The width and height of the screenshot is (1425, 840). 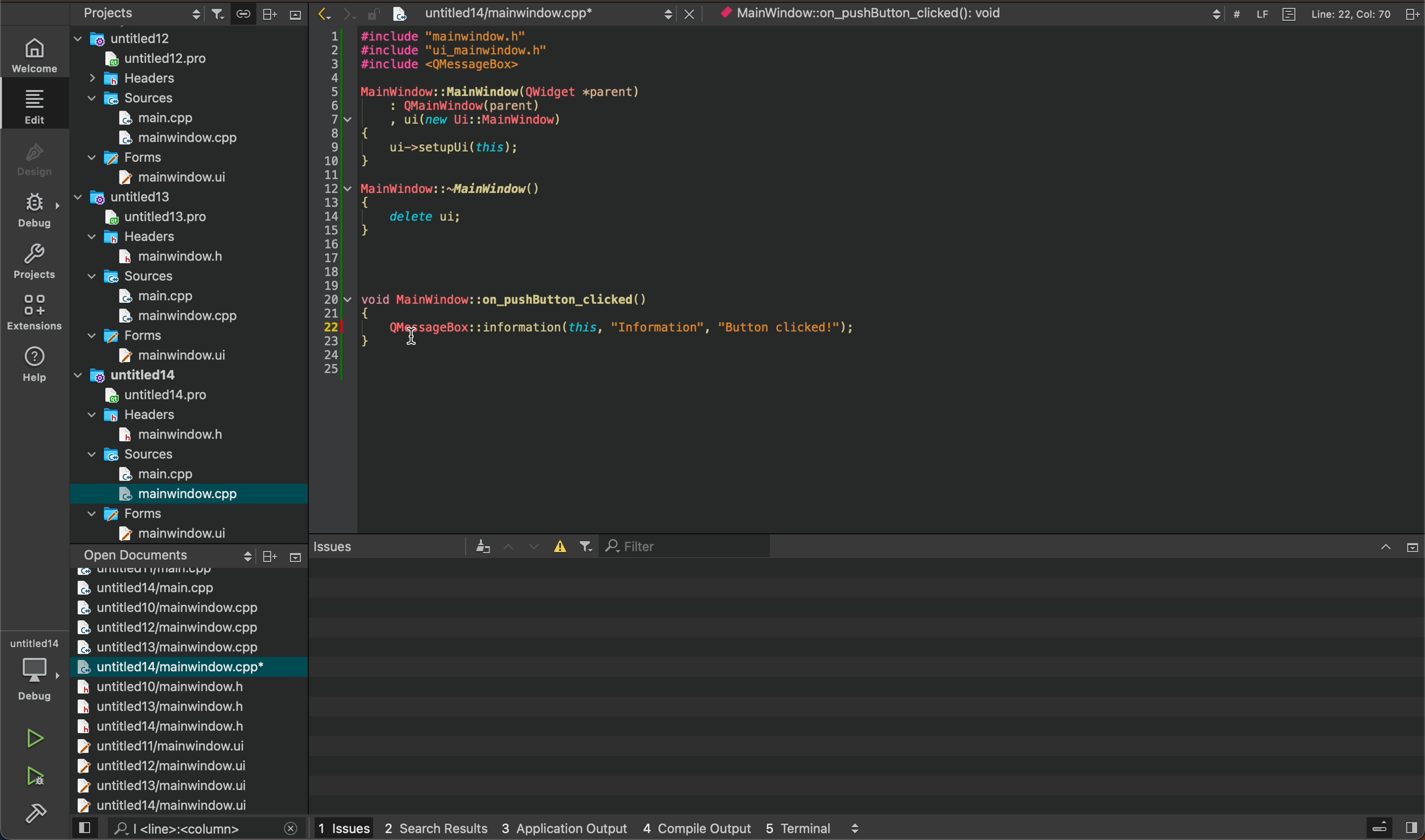 What do you see at coordinates (132, 414) in the screenshot?
I see `headers` at bounding box center [132, 414].